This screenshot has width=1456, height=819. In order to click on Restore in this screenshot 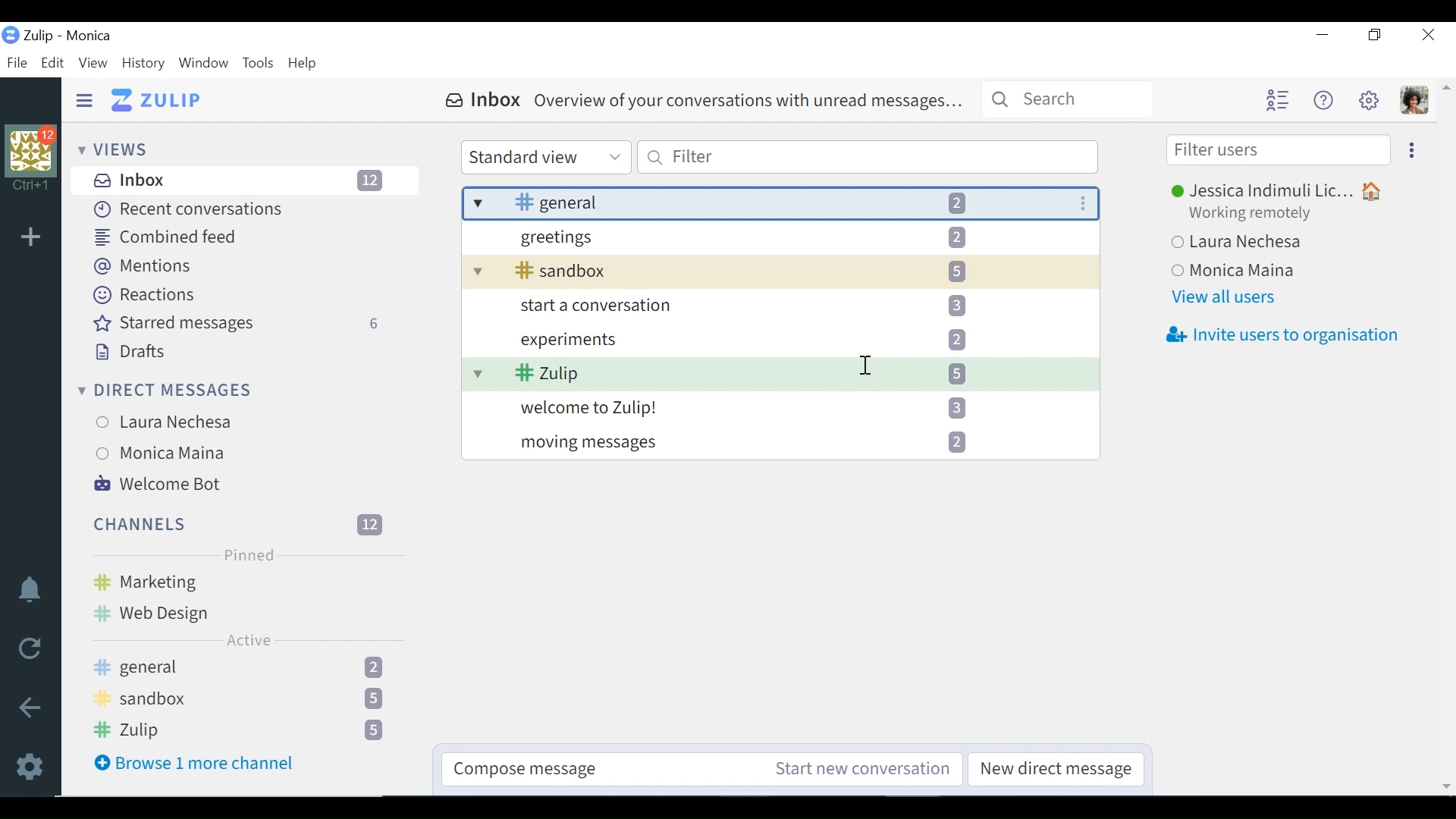, I will do `click(1373, 34)`.